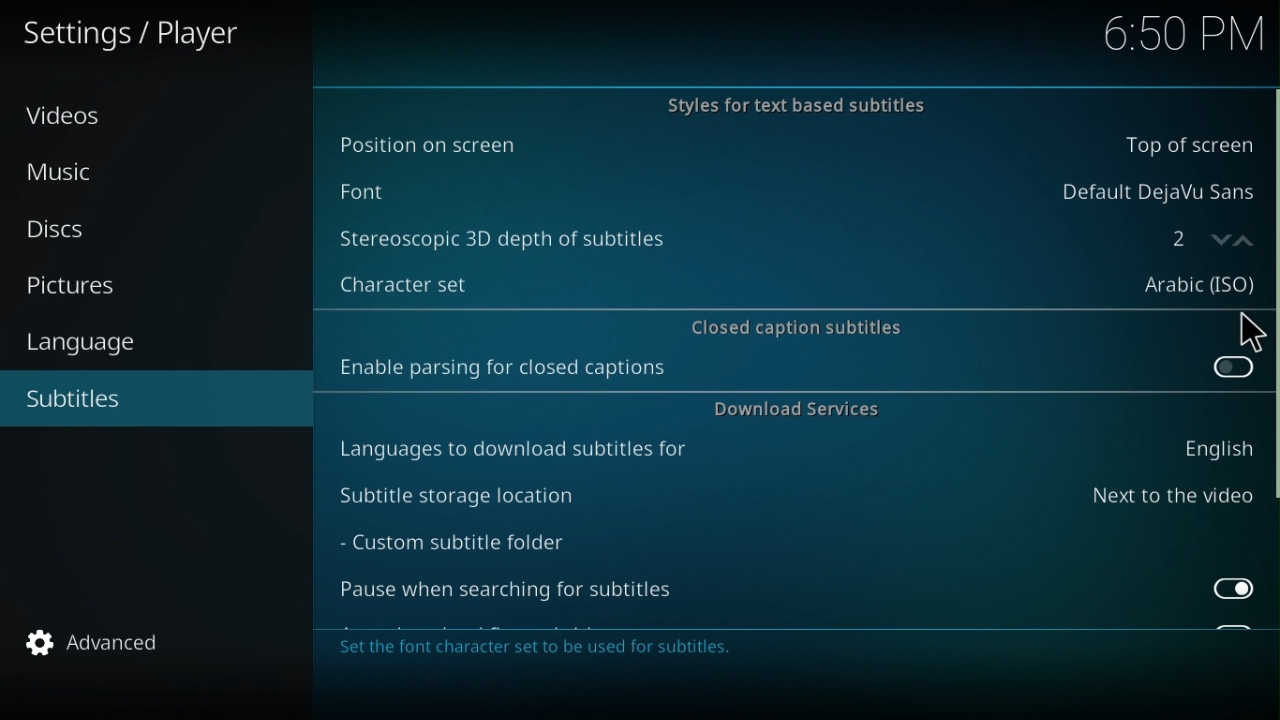 The height and width of the screenshot is (720, 1280). I want to click on Stereoscopic 3D depth of subtiles, so click(713, 244).